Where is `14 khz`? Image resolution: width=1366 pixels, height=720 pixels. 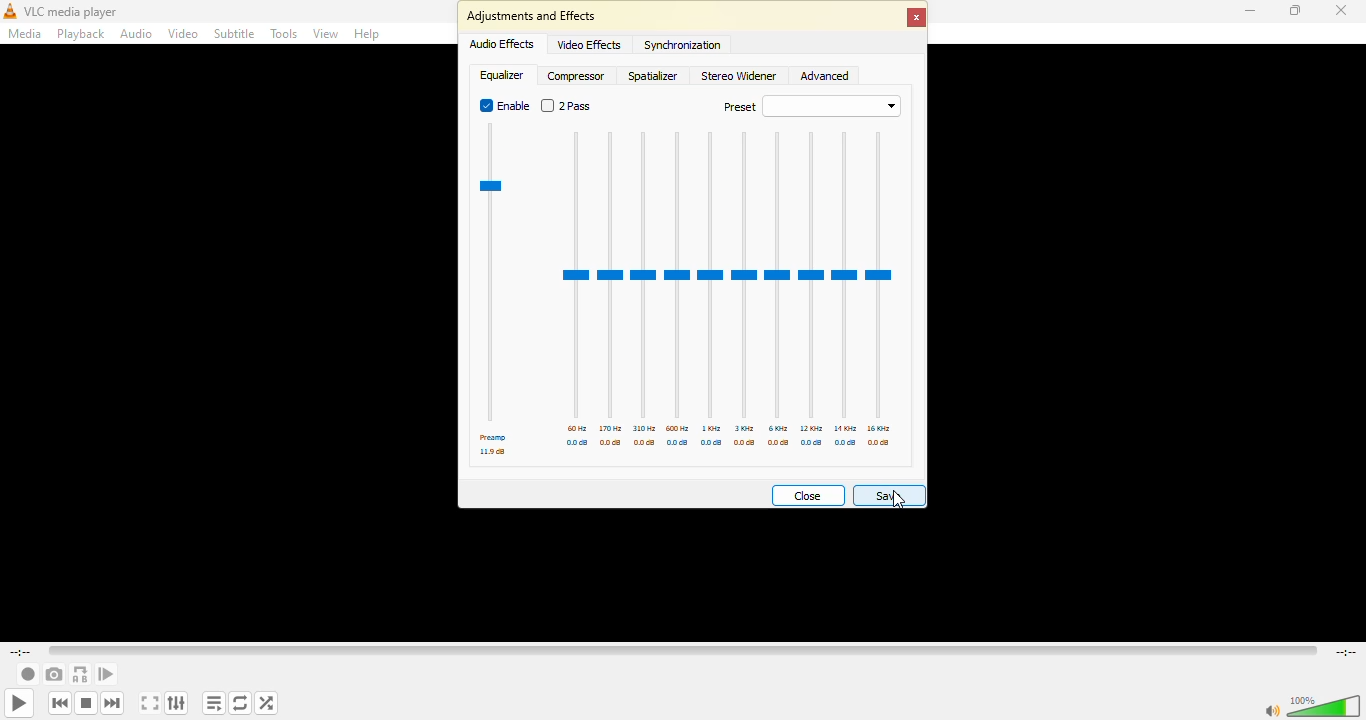 14 khz is located at coordinates (846, 428).